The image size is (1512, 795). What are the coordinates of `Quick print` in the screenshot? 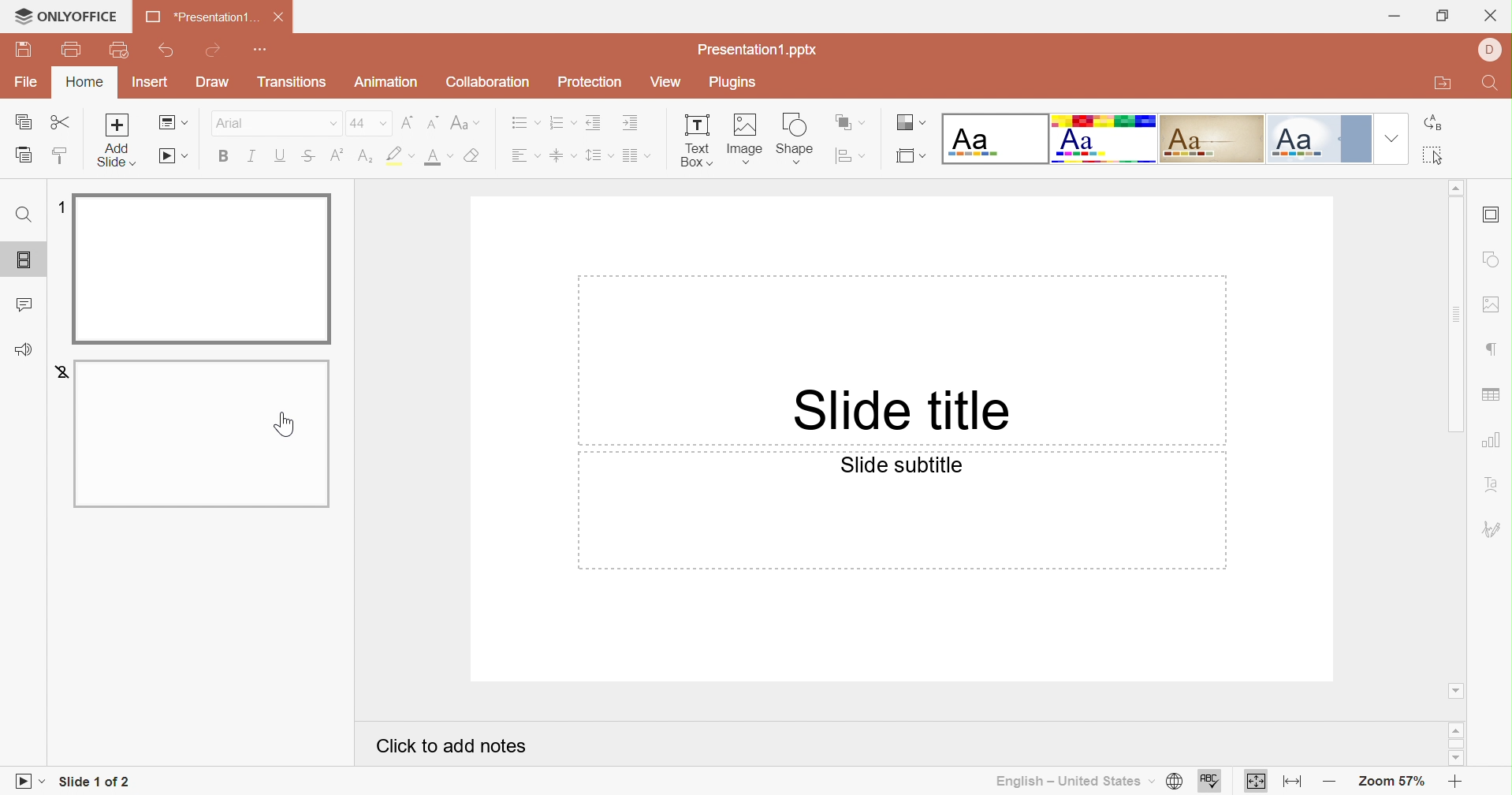 It's located at (121, 51).